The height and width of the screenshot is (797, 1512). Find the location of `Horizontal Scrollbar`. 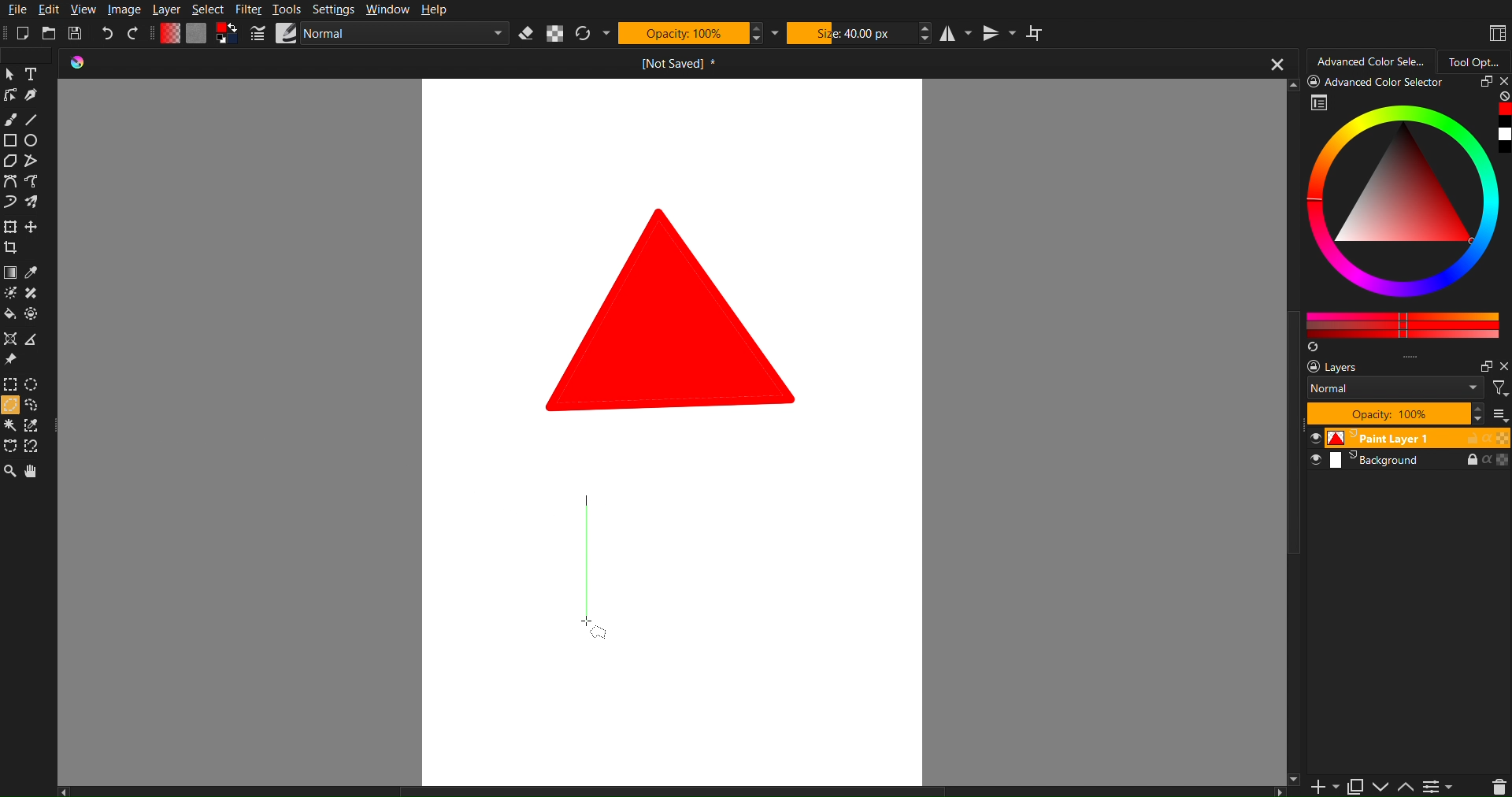

Horizontal Scrollbar is located at coordinates (666, 790).